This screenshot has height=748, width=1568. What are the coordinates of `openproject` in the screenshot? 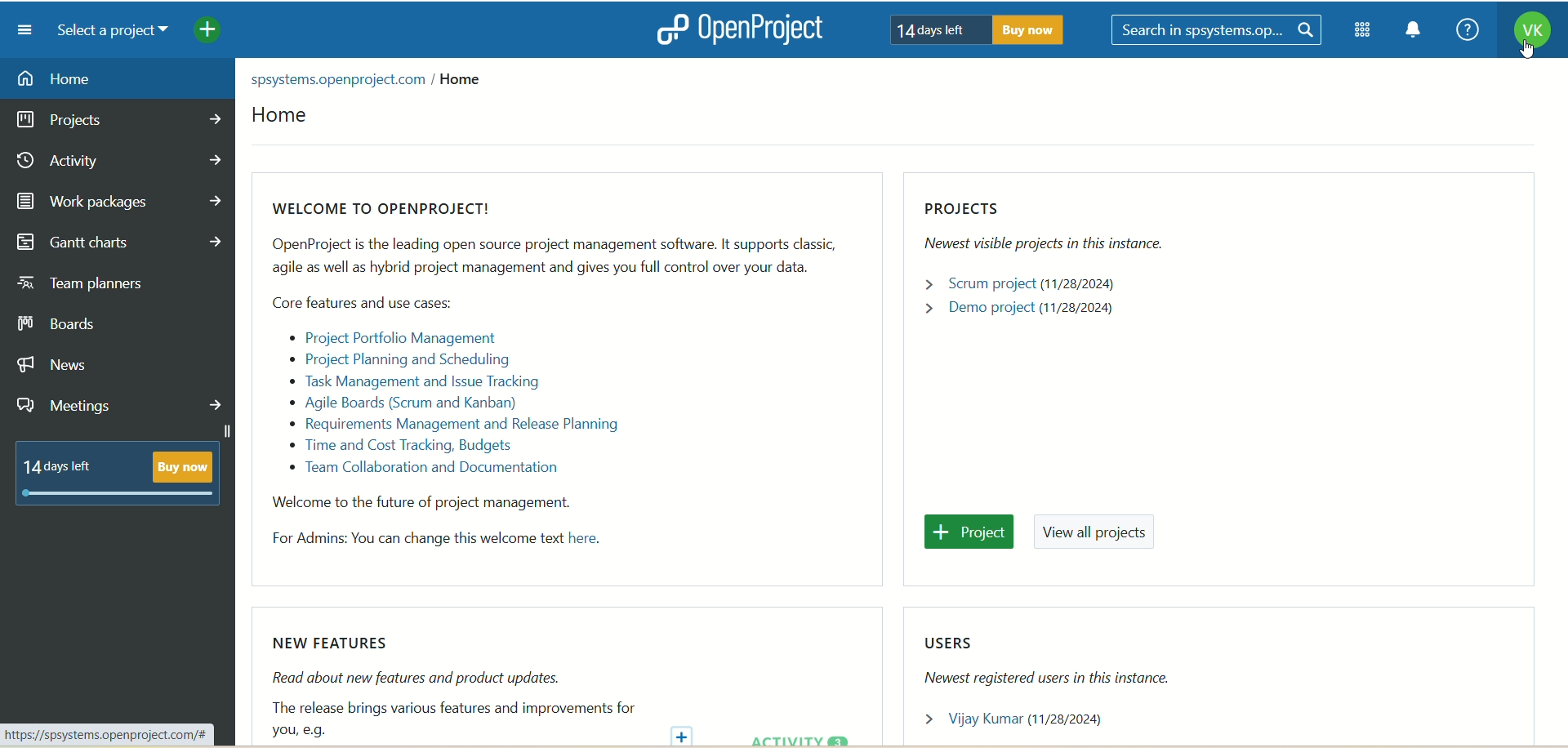 It's located at (736, 29).